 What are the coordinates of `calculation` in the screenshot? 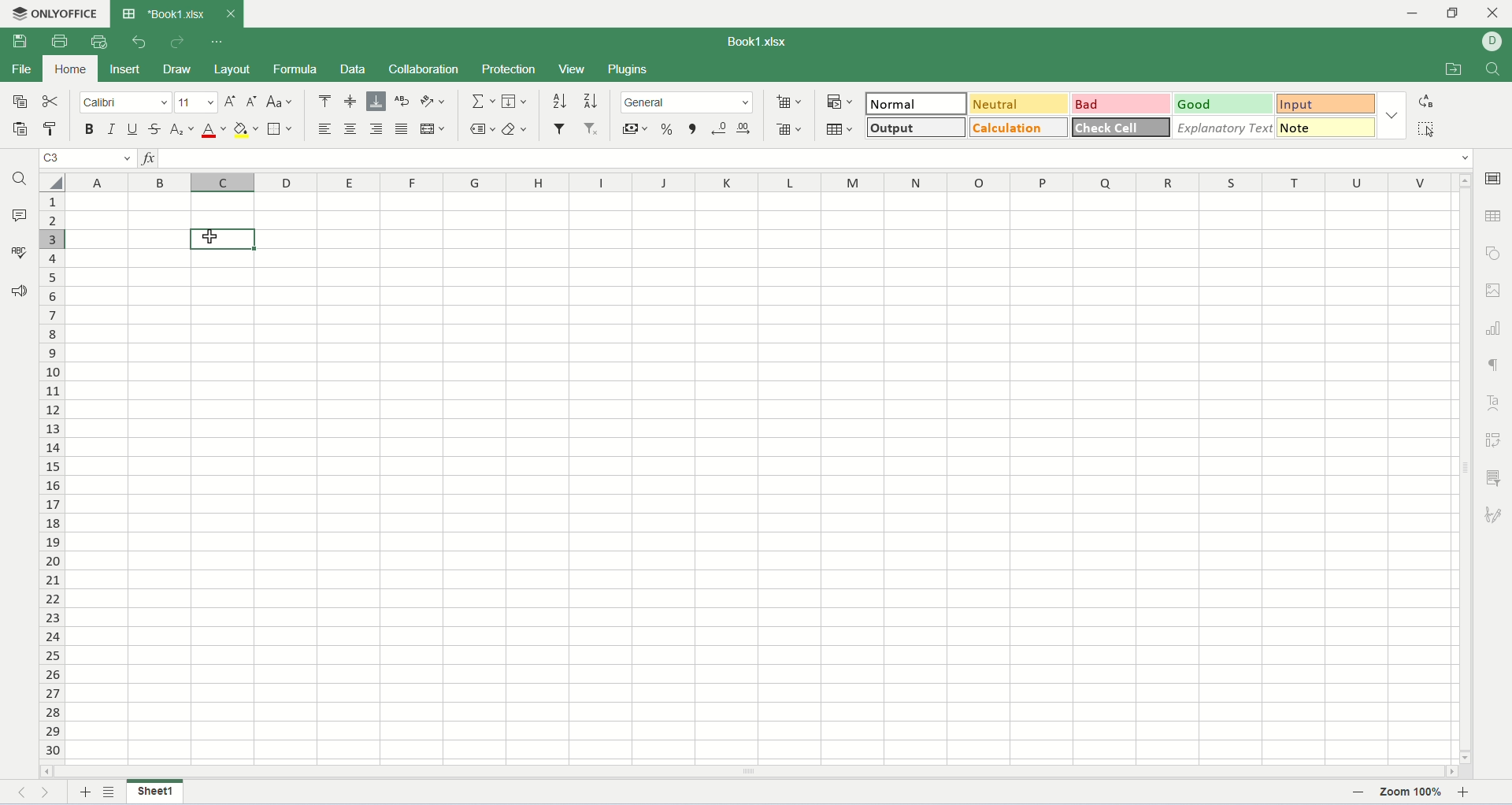 It's located at (1021, 127).